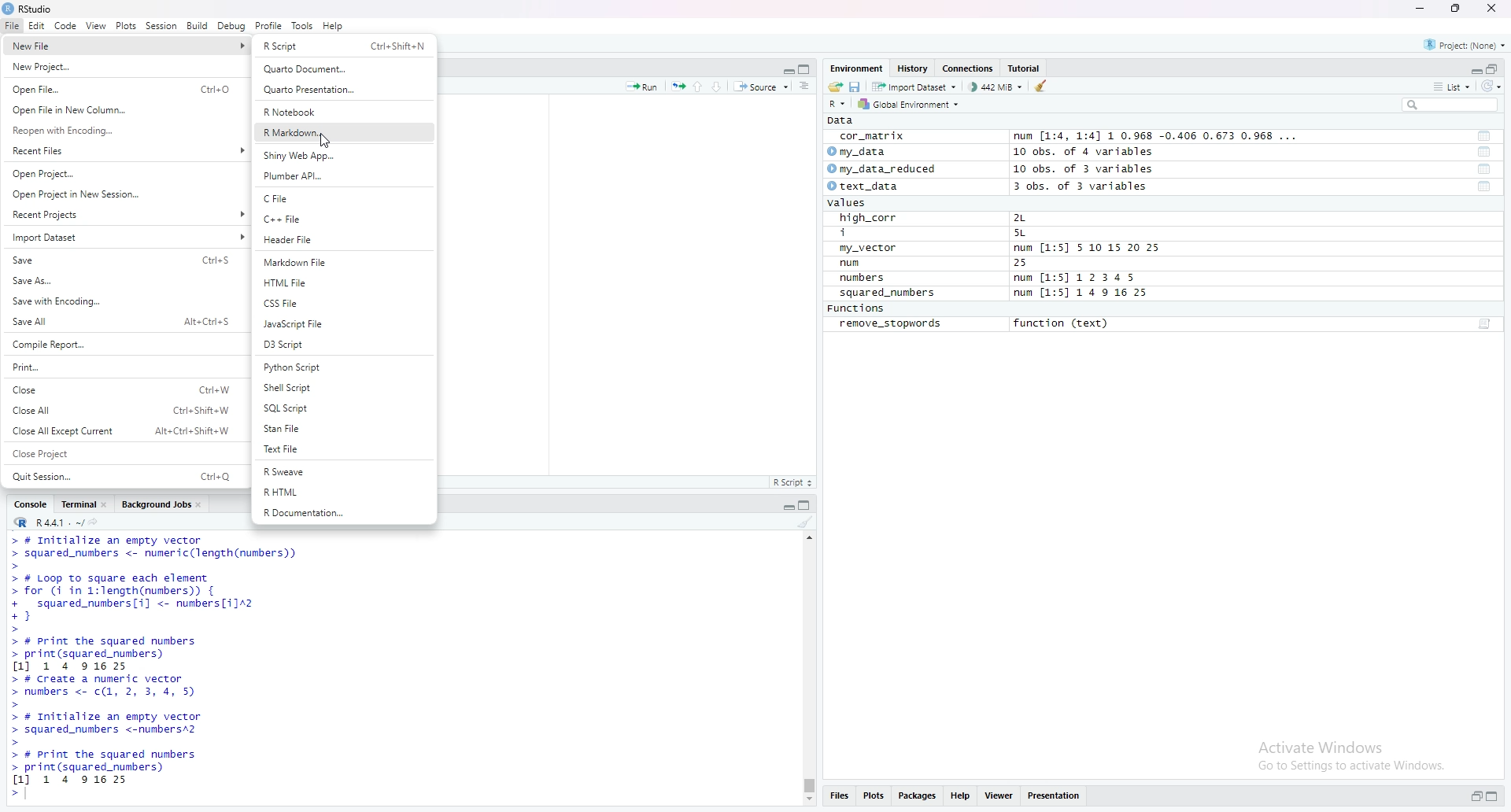 The height and width of the screenshot is (812, 1511). What do you see at coordinates (106, 46) in the screenshot?
I see `New File` at bounding box center [106, 46].